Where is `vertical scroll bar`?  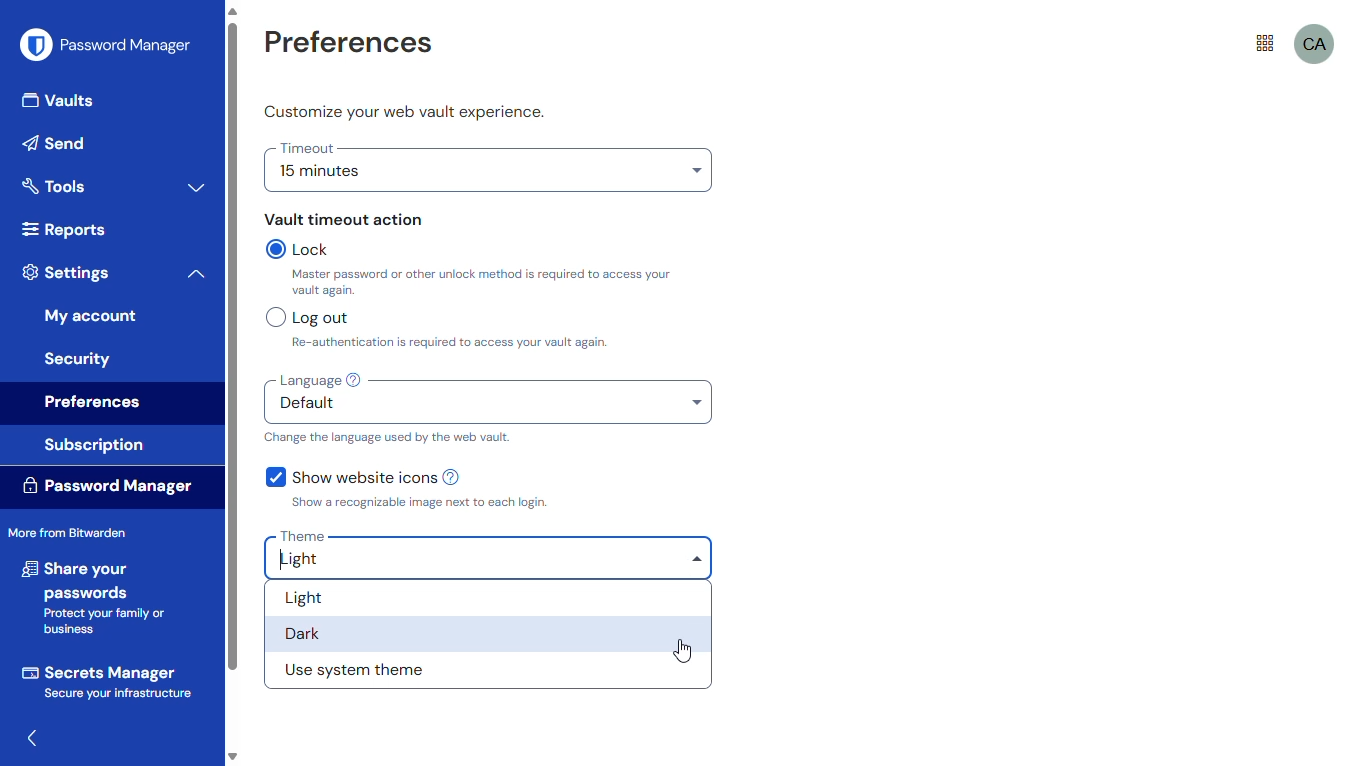
vertical scroll bar is located at coordinates (232, 346).